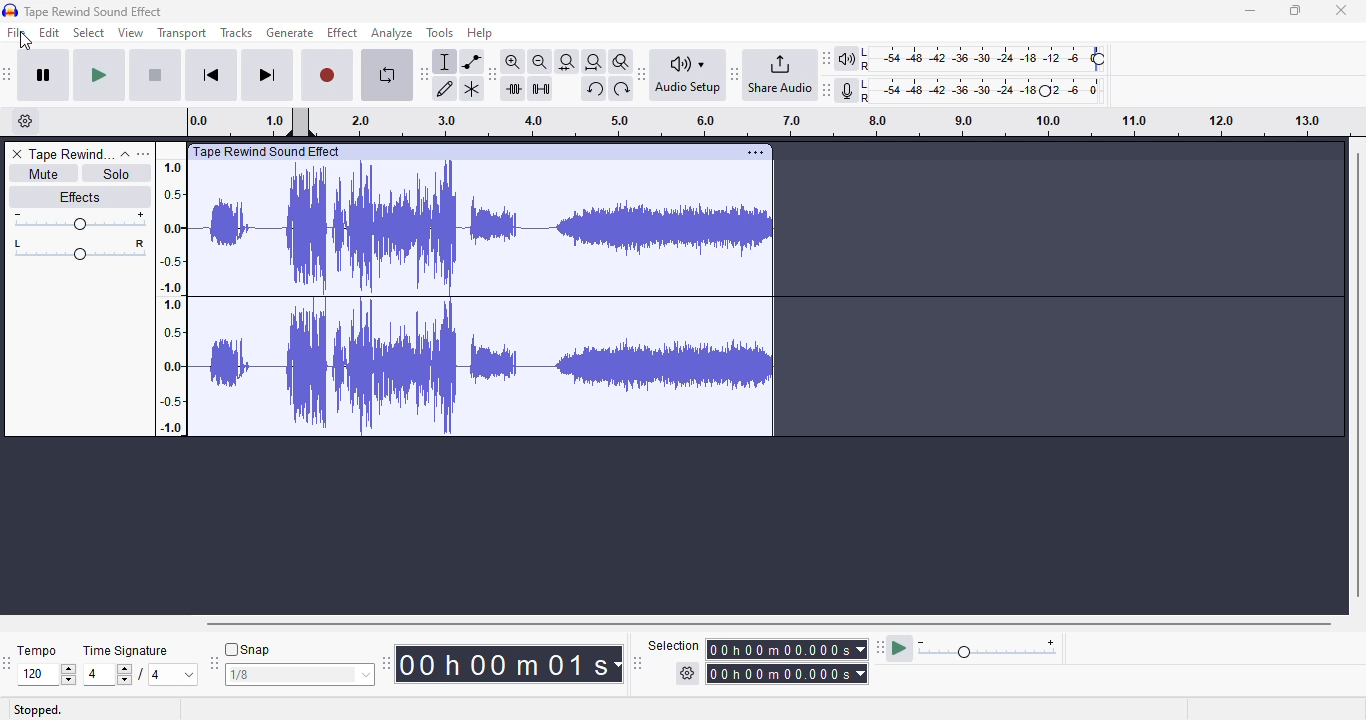  Describe the element at coordinates (769, 624) in the screenshot. I see `horizontal scrollbar` at that location.